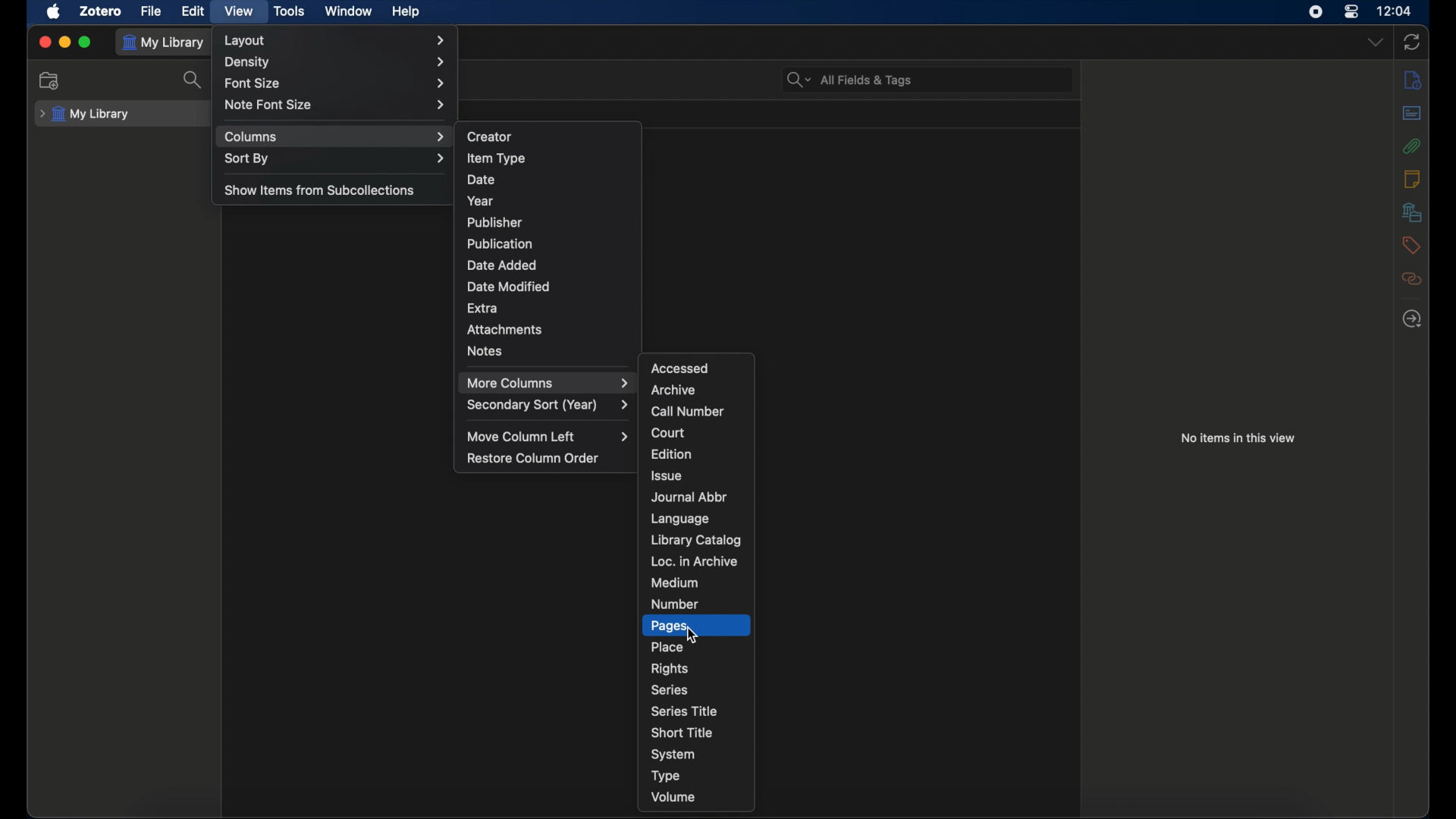  What do you see at coordinates (319, 191) in the screenshot?
I see `show items from subcollections` at bounding box center [319, 191].